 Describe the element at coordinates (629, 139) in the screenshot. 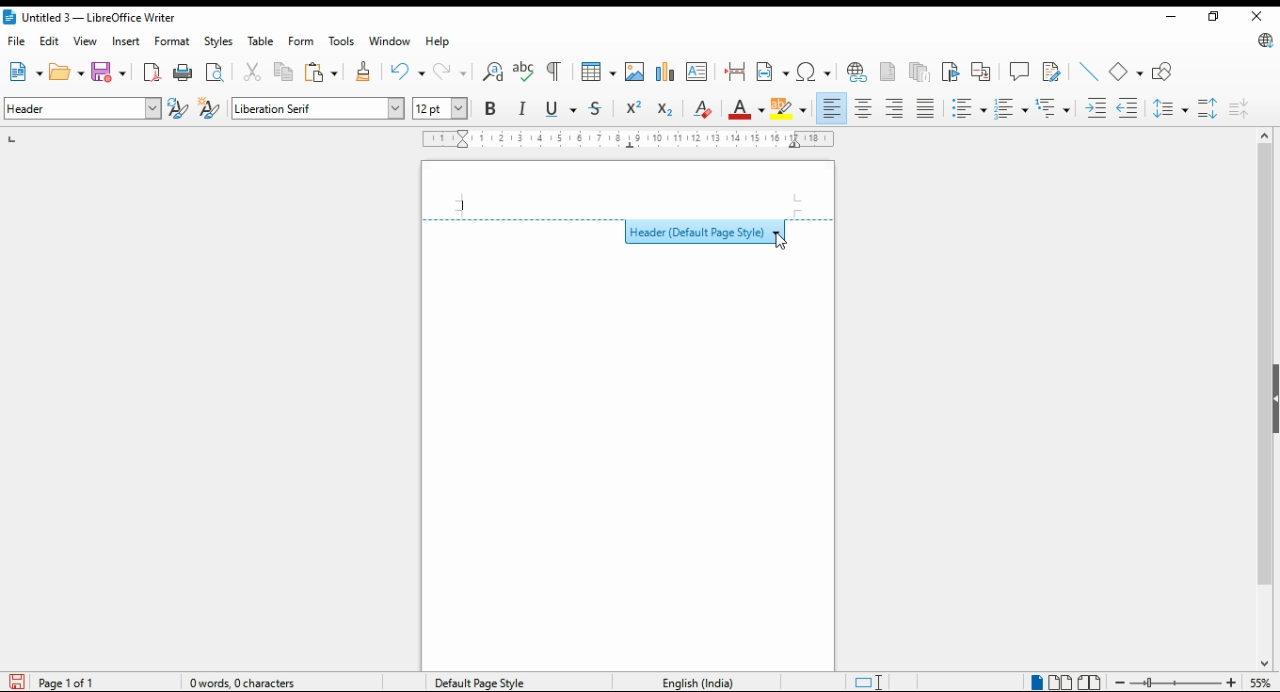

I see `ruler` at that location.